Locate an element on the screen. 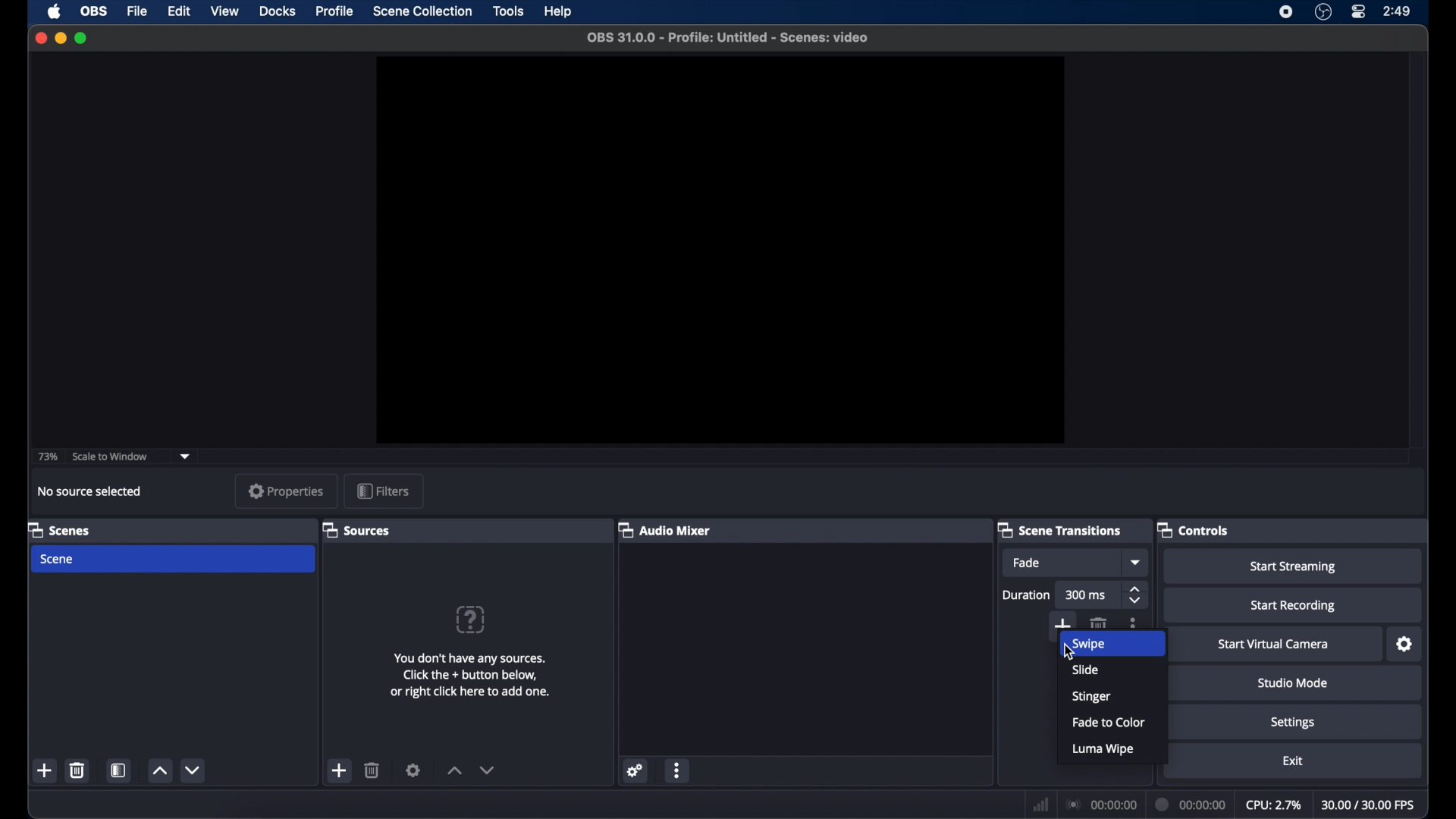 This screenshot has width=1456, height=819. scale to window is located at coordinates (111, 457).